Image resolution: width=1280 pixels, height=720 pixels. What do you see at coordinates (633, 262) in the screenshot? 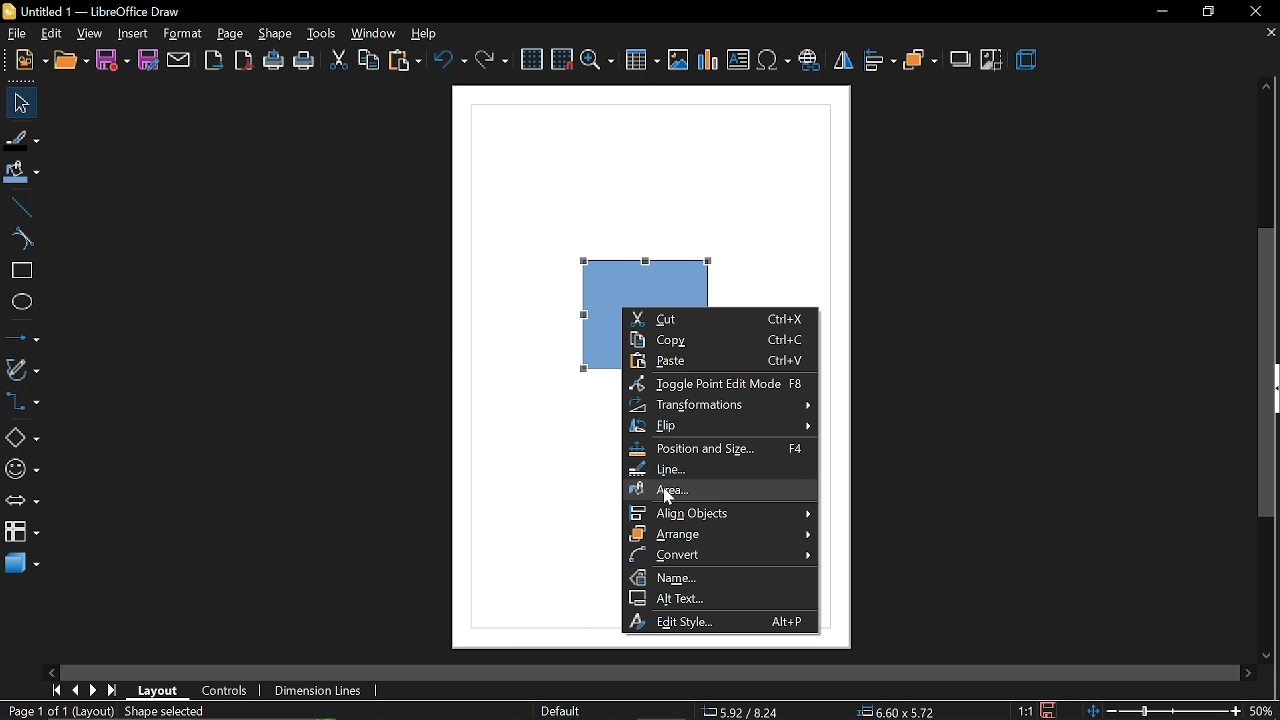
I see `Rectangle` at bounding box center [633, 262].